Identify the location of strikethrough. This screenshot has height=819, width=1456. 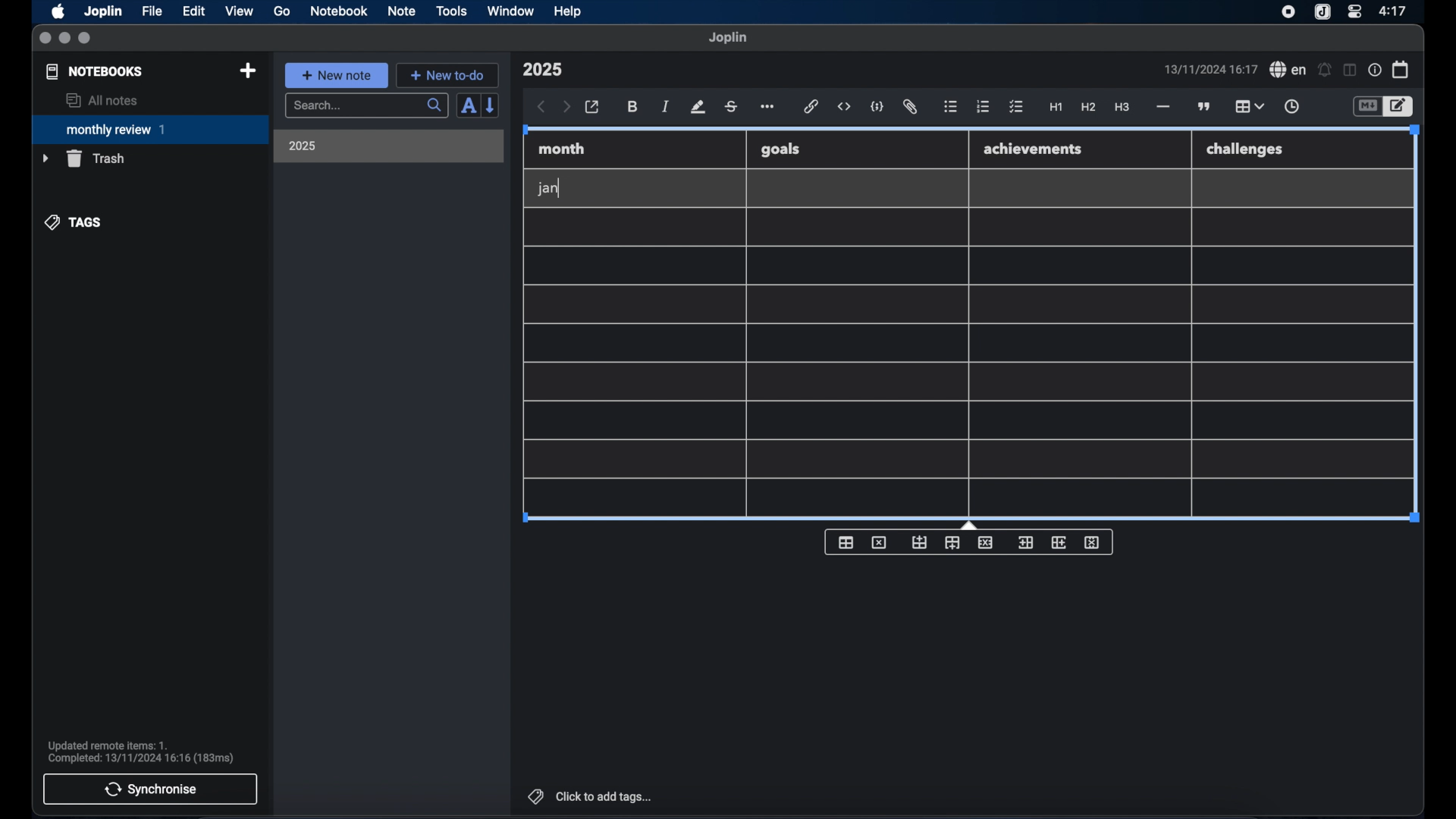
(730, 107).